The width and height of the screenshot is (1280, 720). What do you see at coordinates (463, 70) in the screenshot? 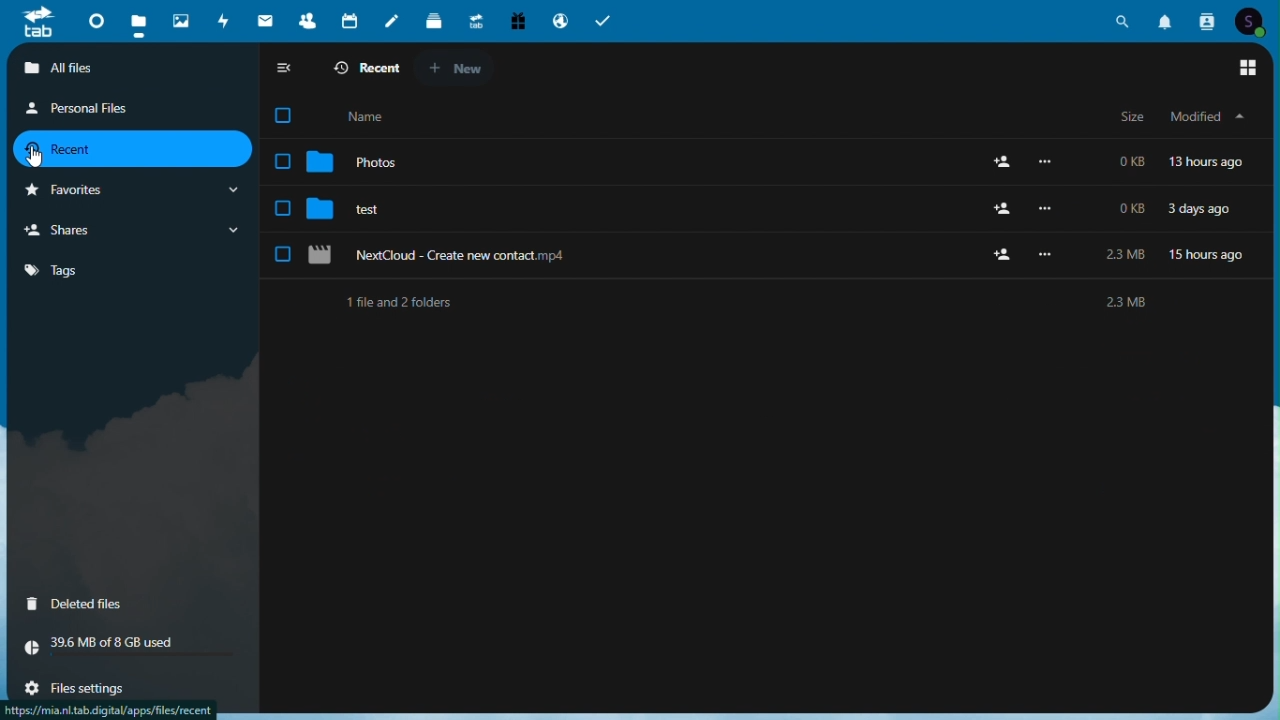
I see `new ` at bounding box center [463, 70].